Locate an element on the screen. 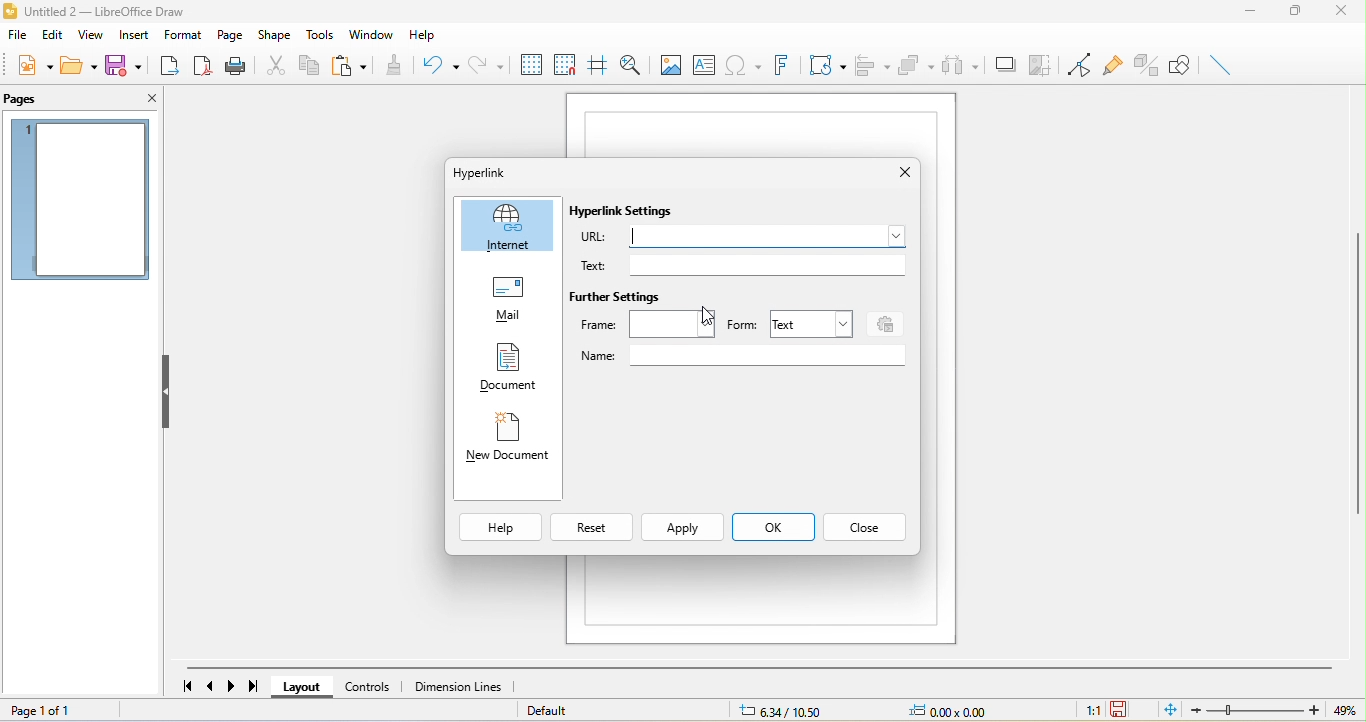 The width and height of the screenshot is (1366, 722). align object is located at coordinates (873, 64).